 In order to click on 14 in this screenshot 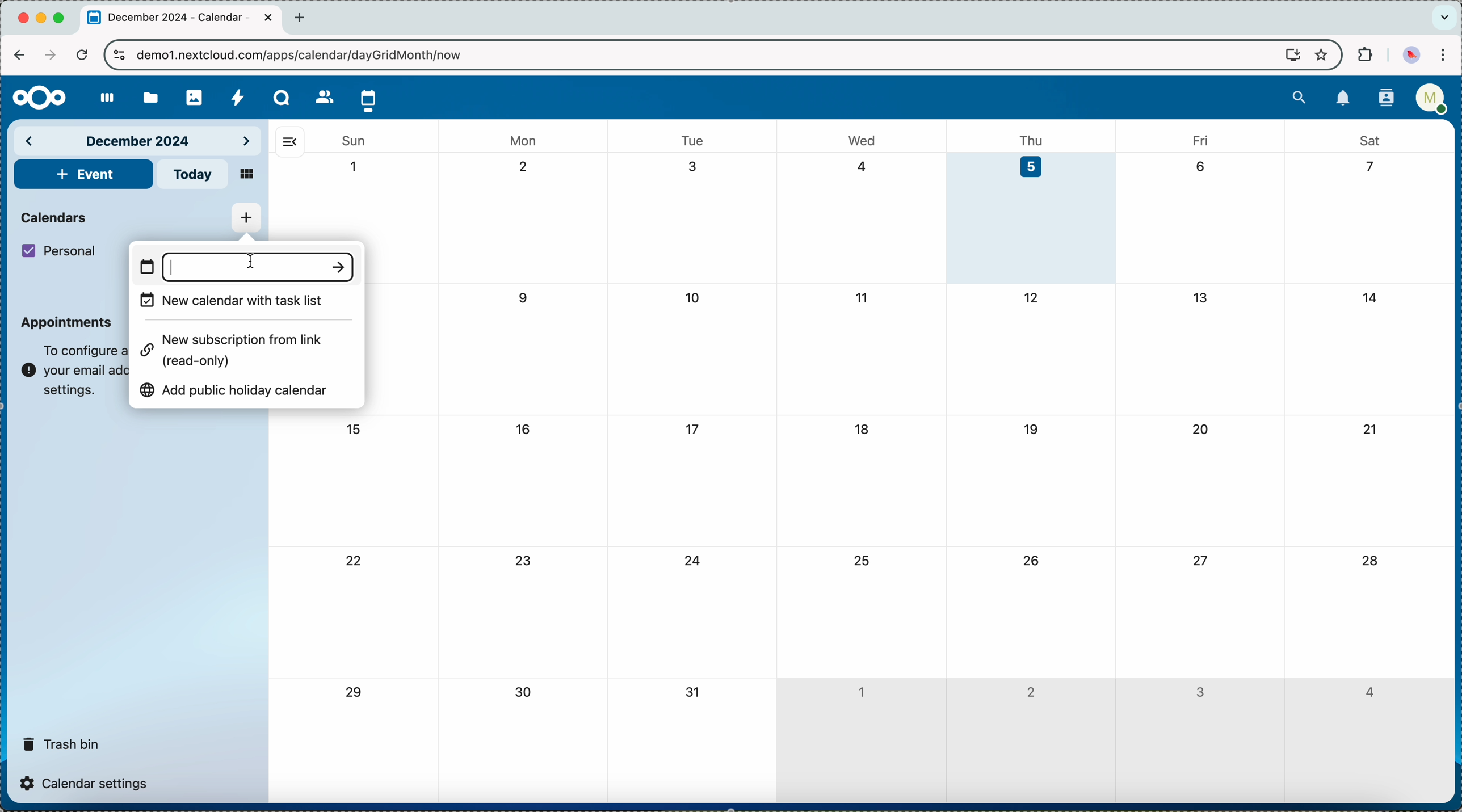, I will do `click(1374, 296)`.